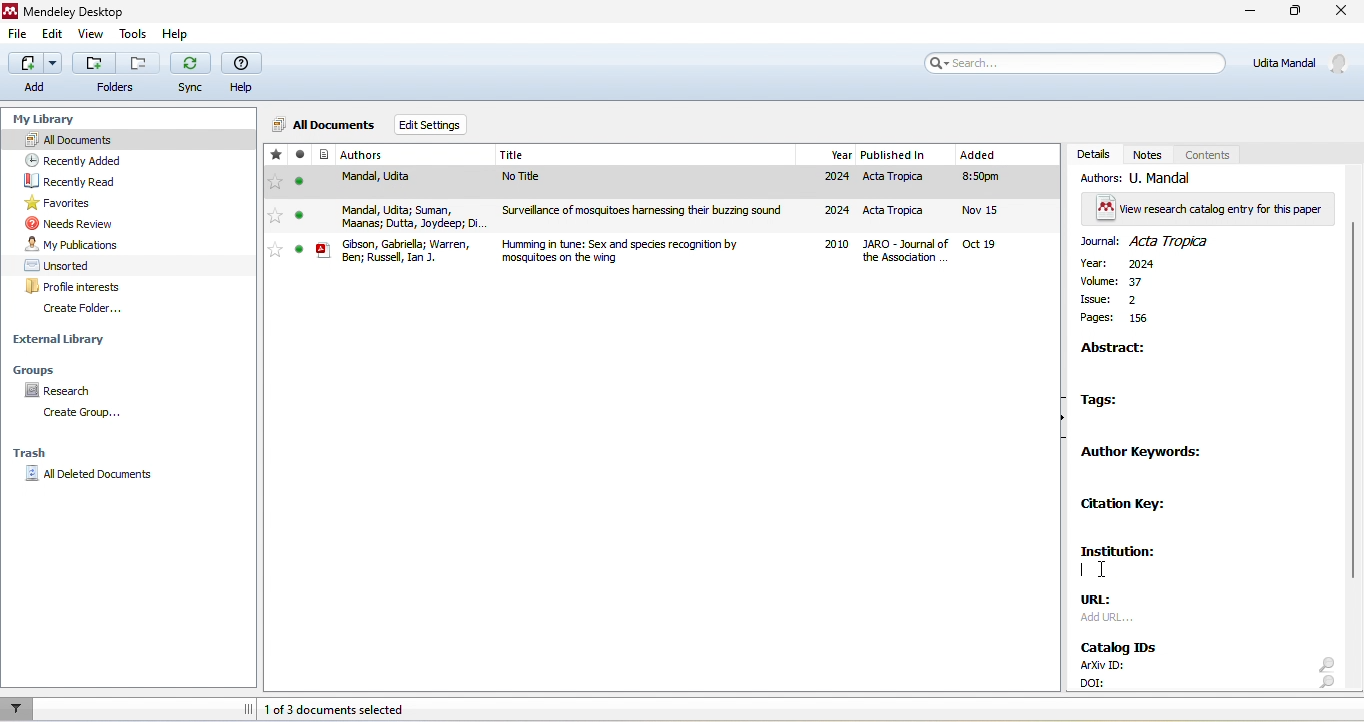  What do you see at coordinates (1092, 153) in the screenshot?
I see `details` at bounding box center [1092, 153].